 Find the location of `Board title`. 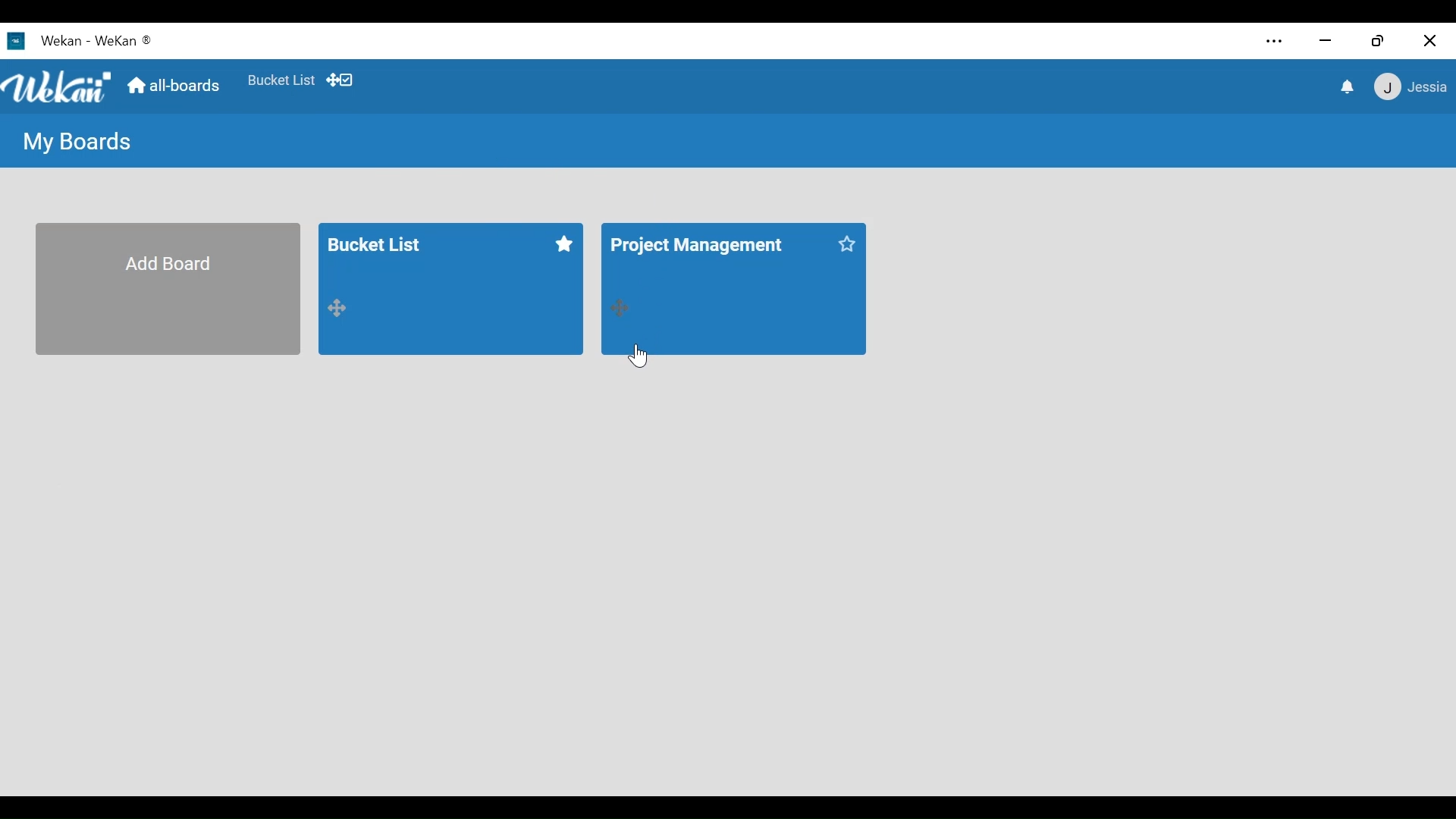

Board title is located at coordinates (706, 244).